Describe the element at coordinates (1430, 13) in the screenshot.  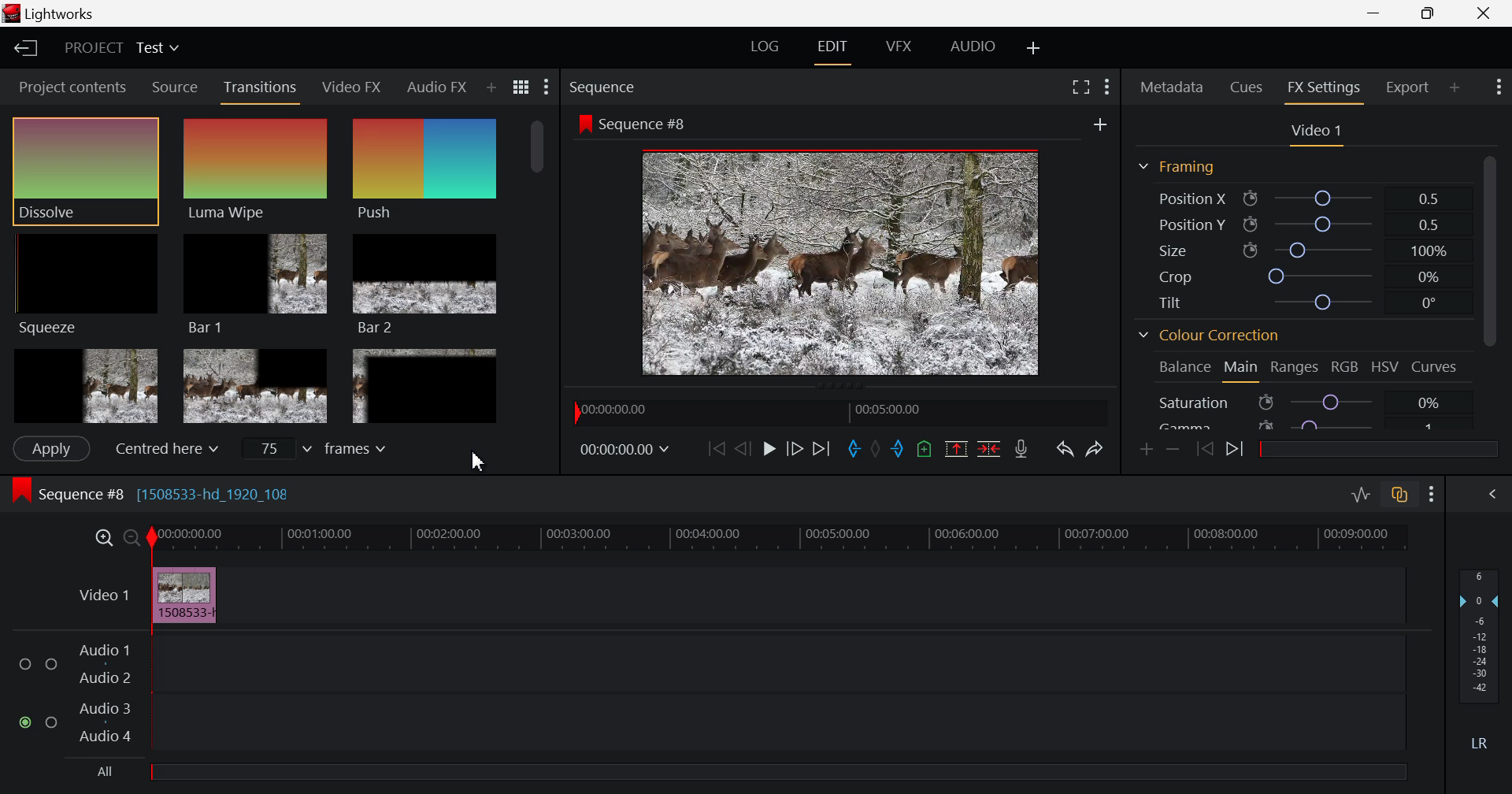
I see `Minimize` at that location.